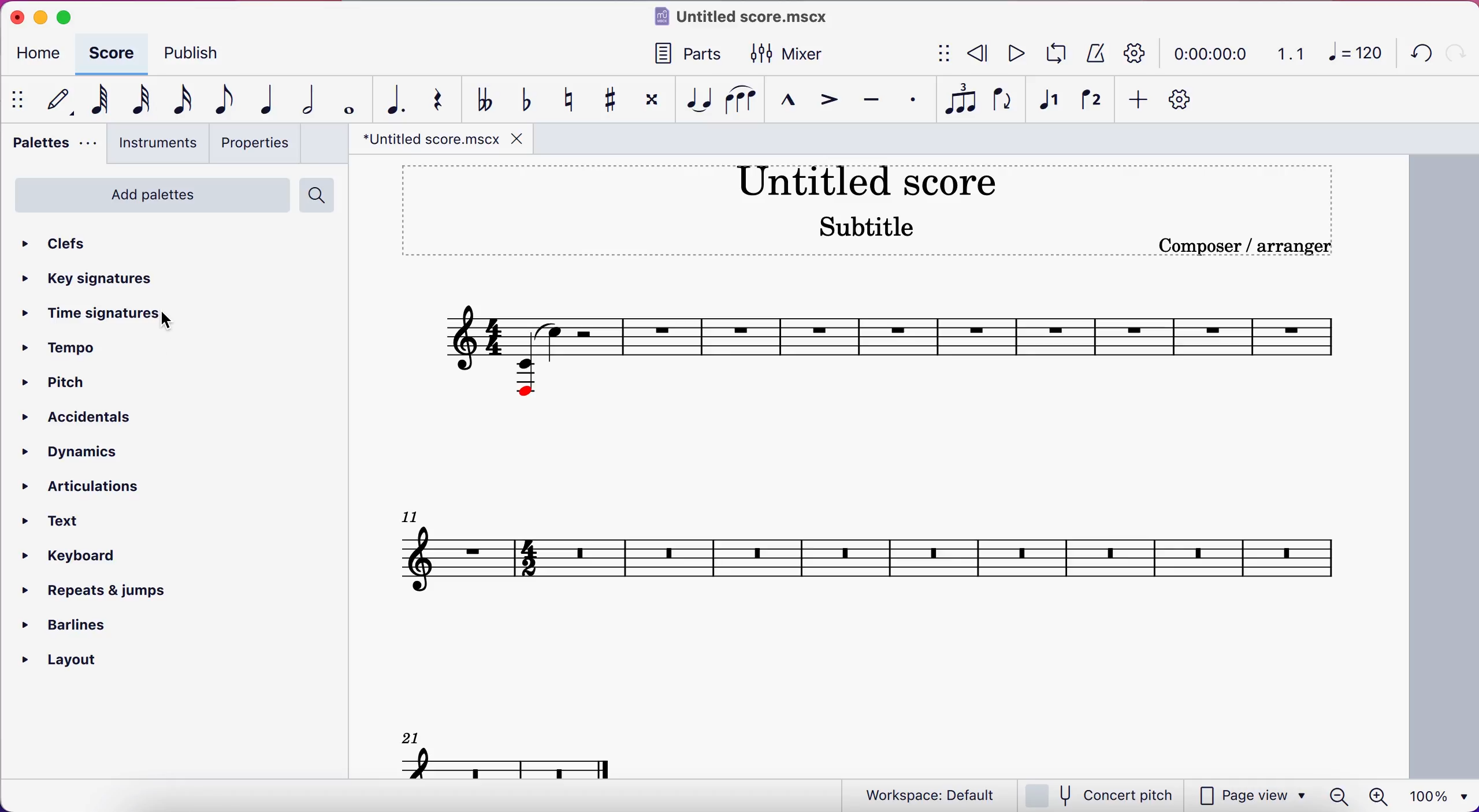 This screenshot has width=1479, height=812. I want to click on untitled score.mscx, so click(747, 18).